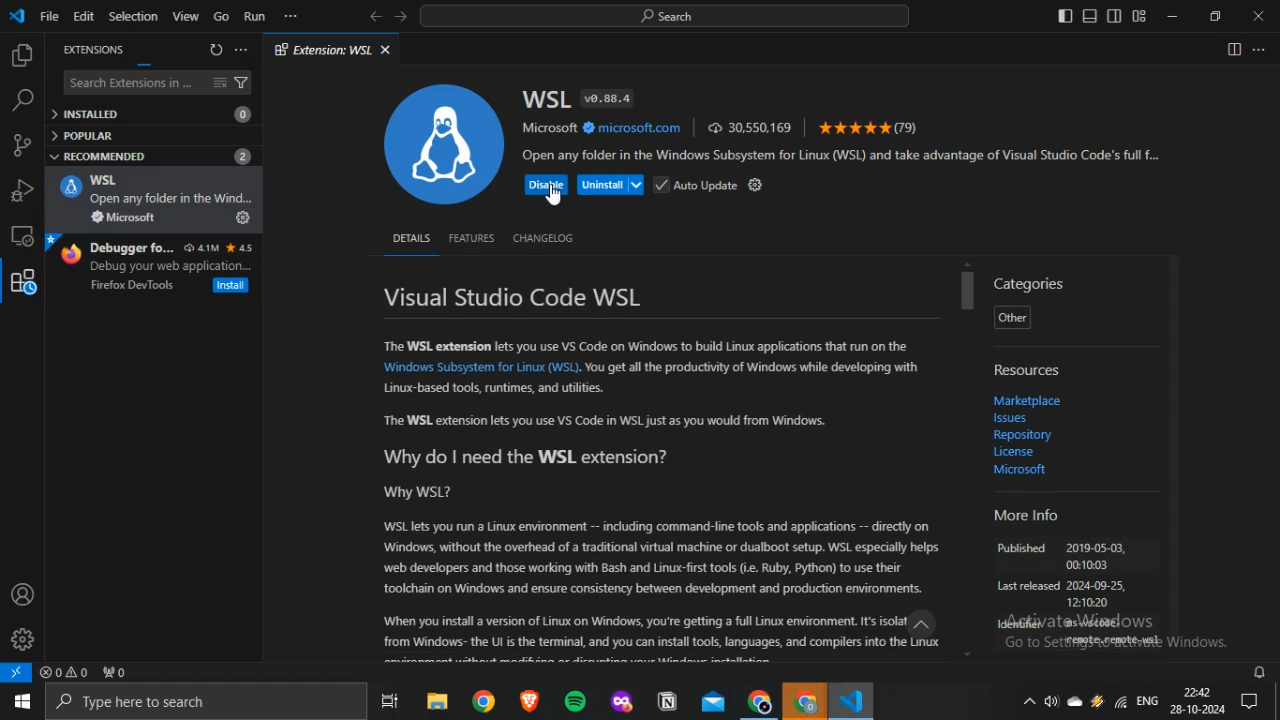 Image resolution: width=1280 pixels, height=720 pixels. I want to click on run and debug, so click(22, 191).